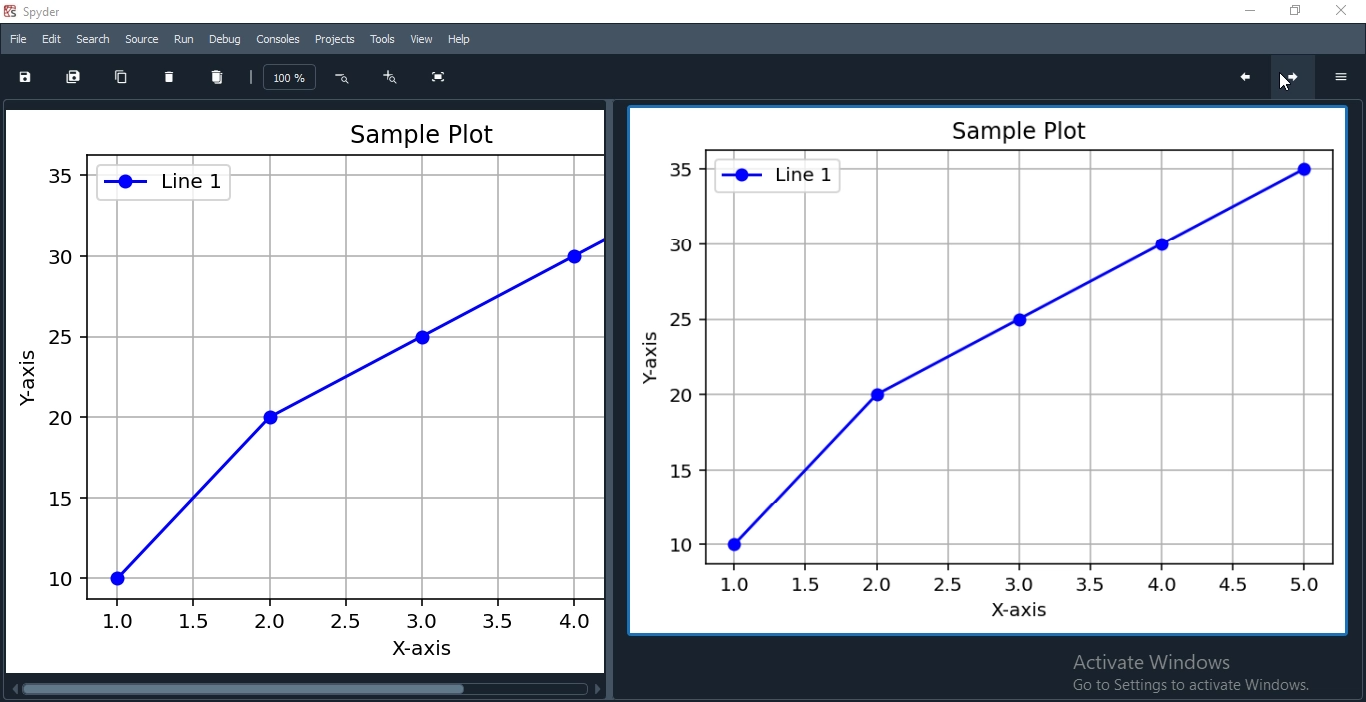 The image size is (1366, 702). Describe the element at coordinates (458, 40) in the screenshot. I see `Help` at that location.